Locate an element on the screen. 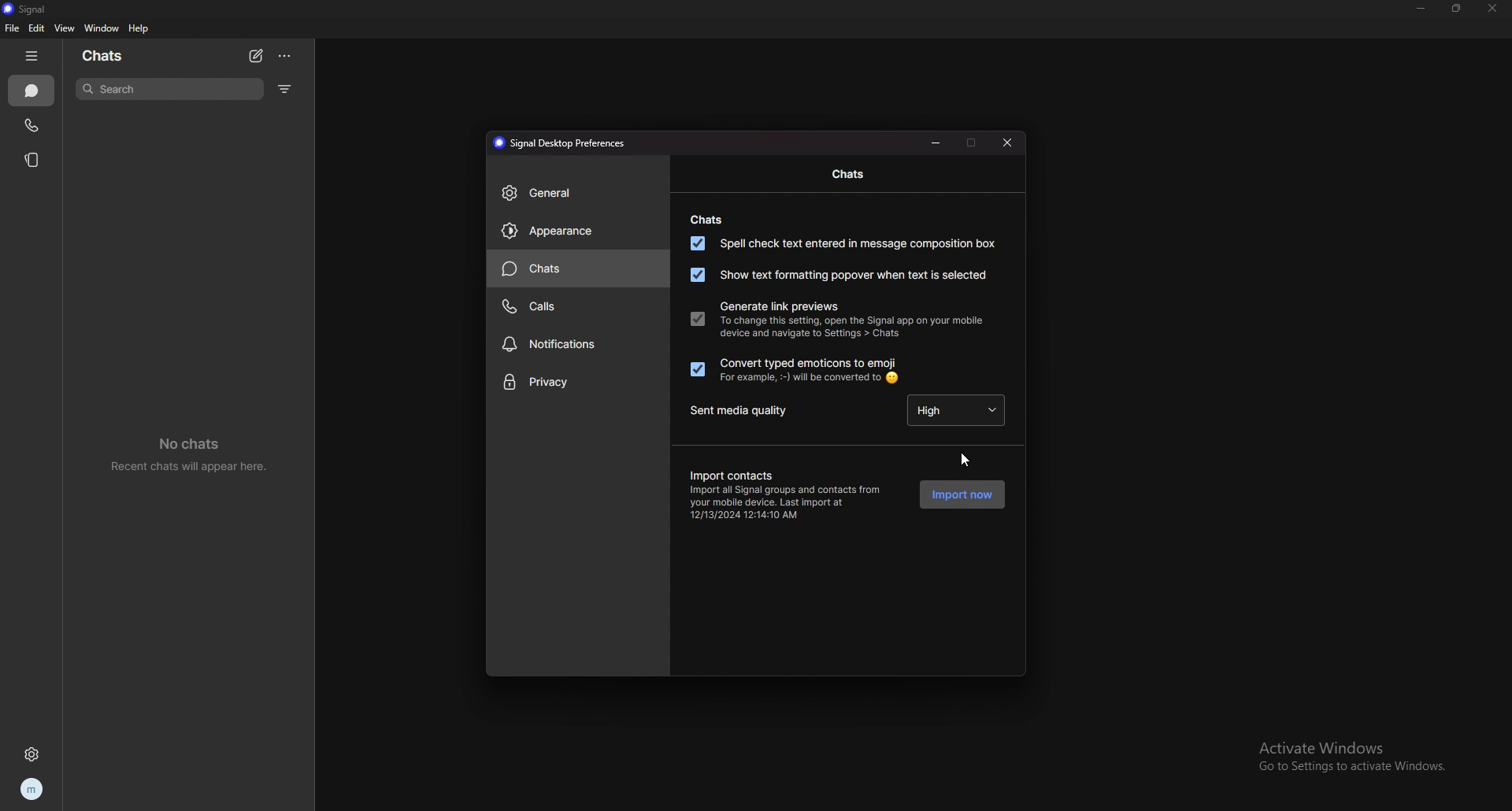 This screenshot has height=811, width=1512. high media quality is located at coordinates (958, 408).